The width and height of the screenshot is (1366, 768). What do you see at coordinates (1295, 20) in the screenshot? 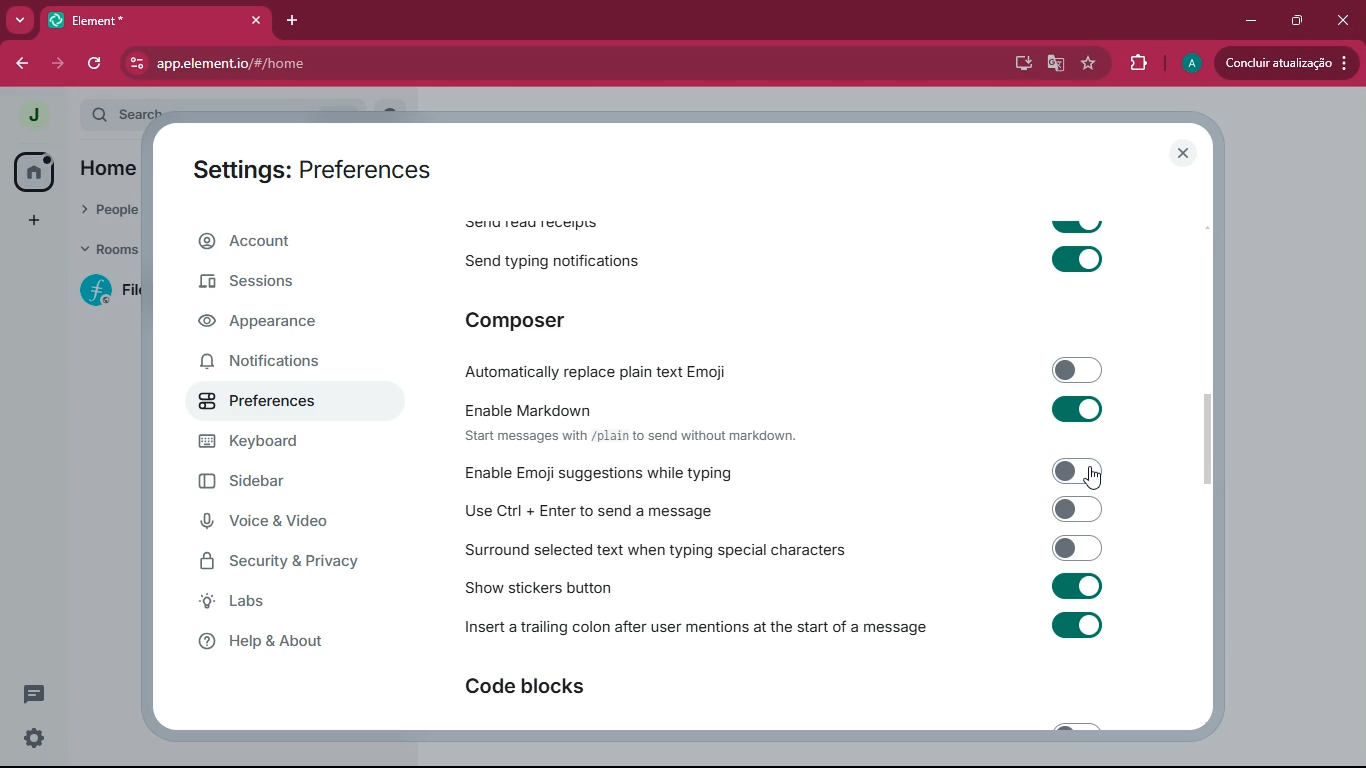
I see `maximize` at bounding box center [1295, 20].